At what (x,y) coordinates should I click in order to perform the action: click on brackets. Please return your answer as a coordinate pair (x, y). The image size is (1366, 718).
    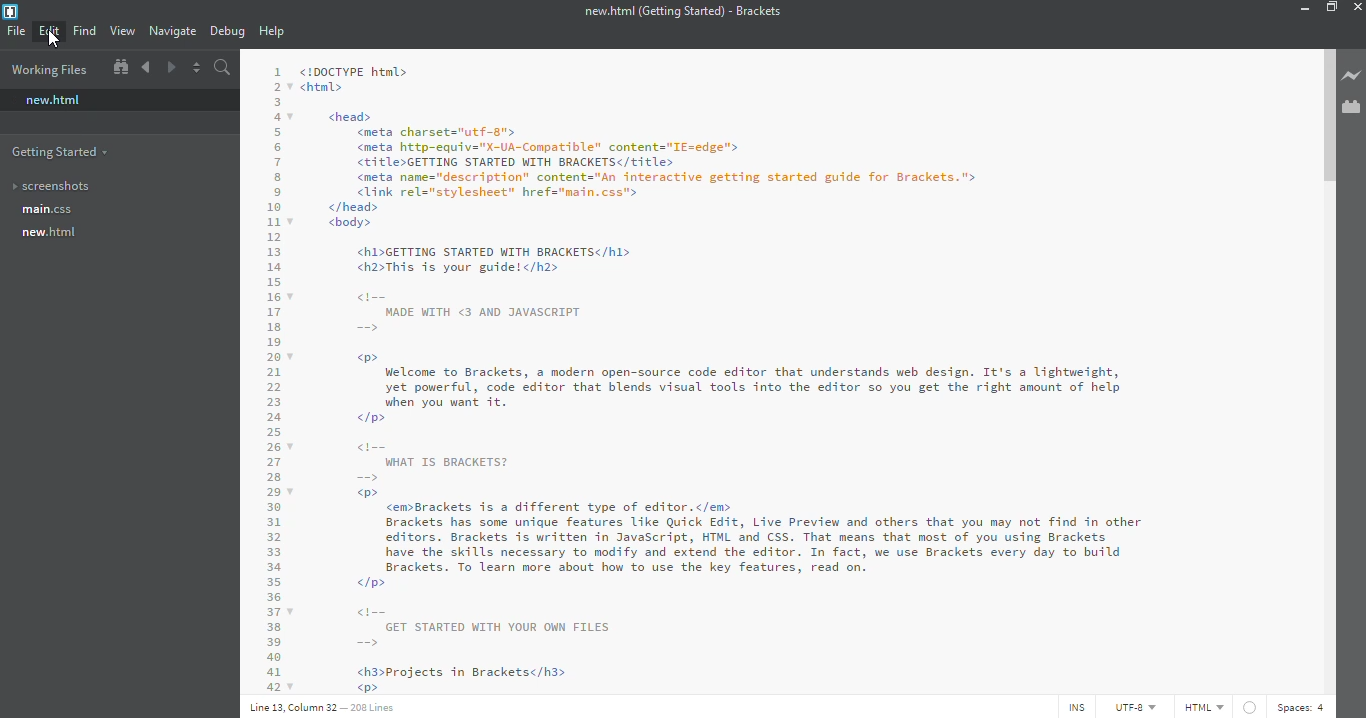
    Looking at the image, I should click on (9, 12).